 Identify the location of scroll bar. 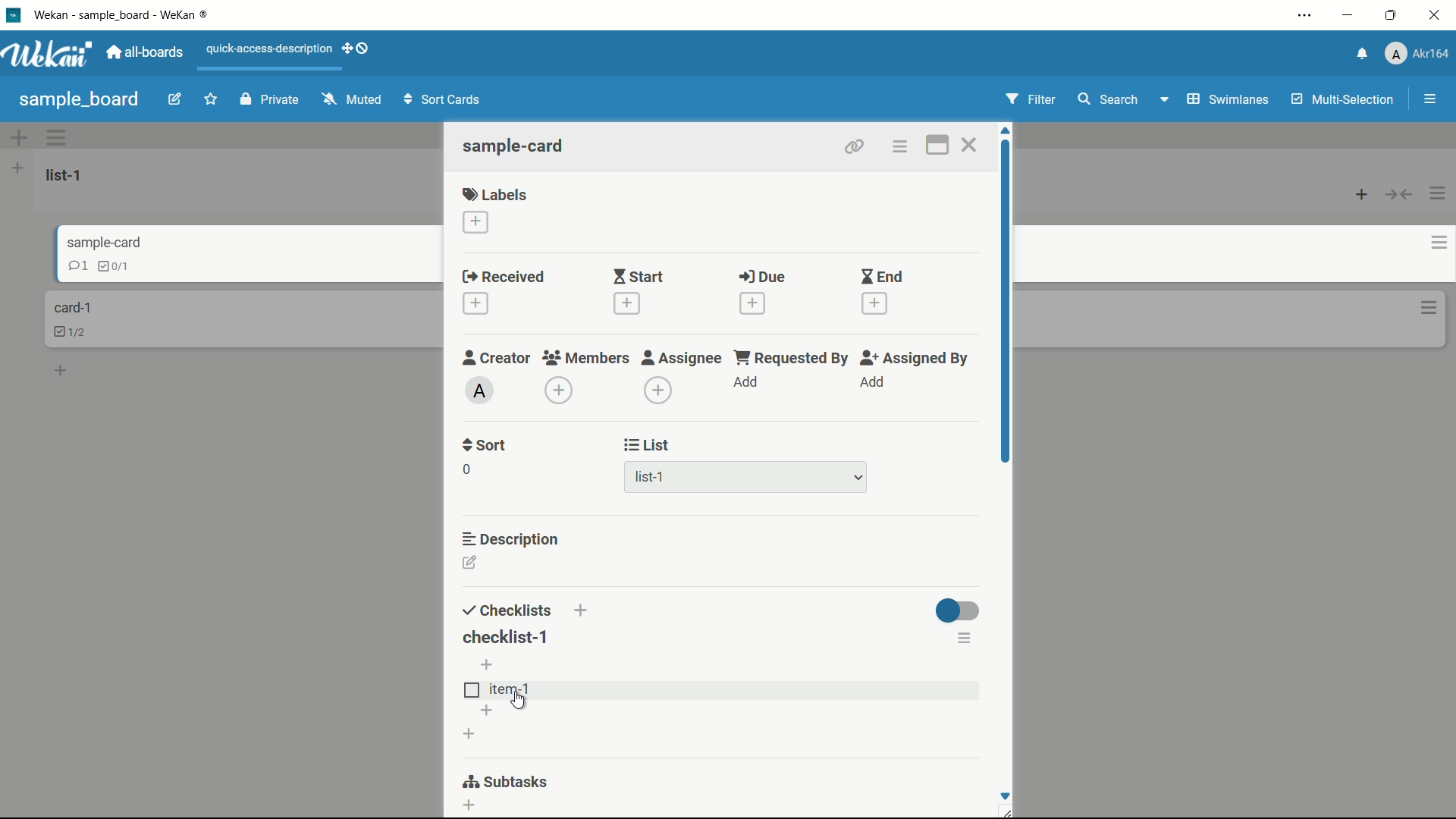
(1007, 302).